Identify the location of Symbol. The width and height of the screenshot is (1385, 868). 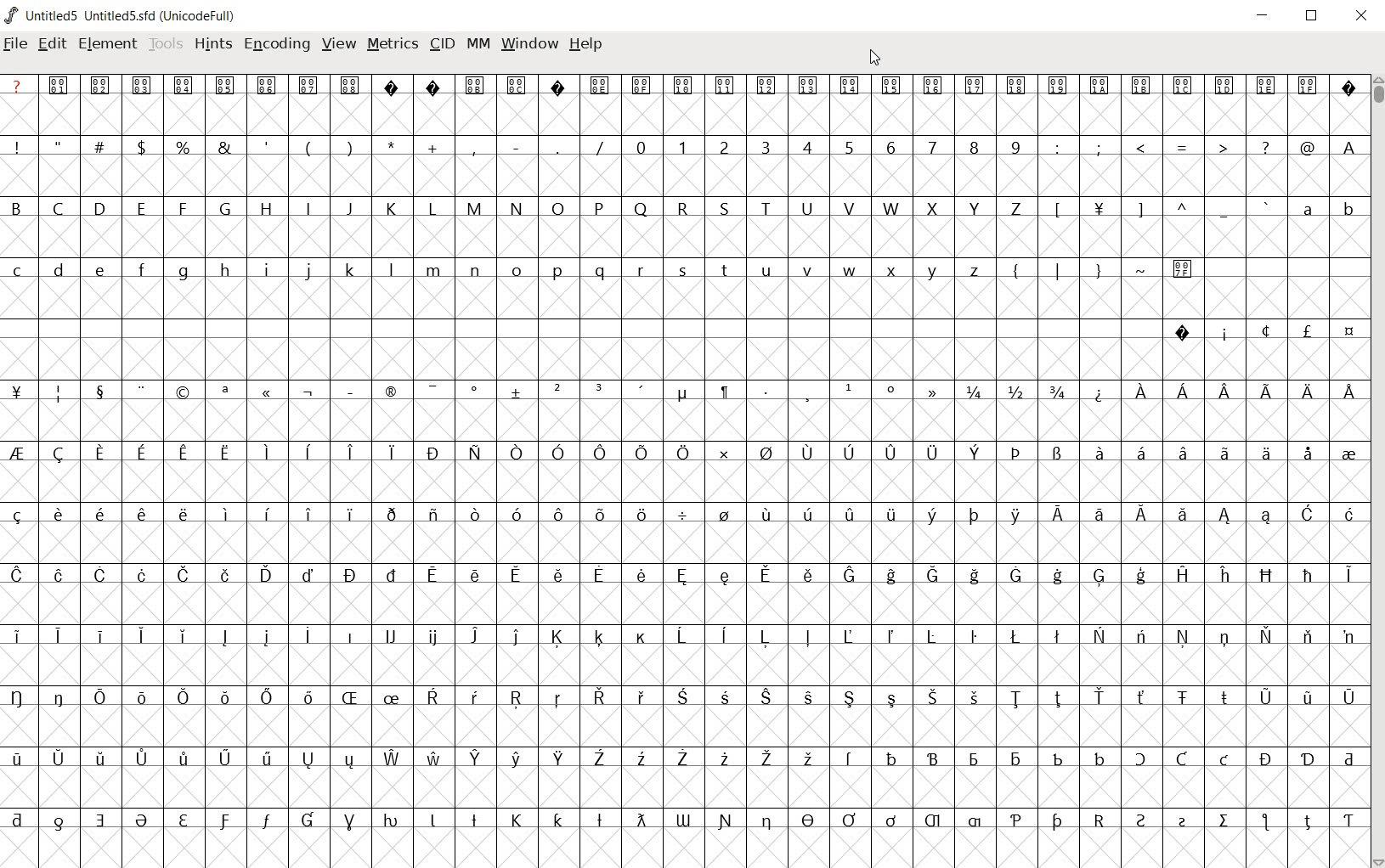
(1143, 699).